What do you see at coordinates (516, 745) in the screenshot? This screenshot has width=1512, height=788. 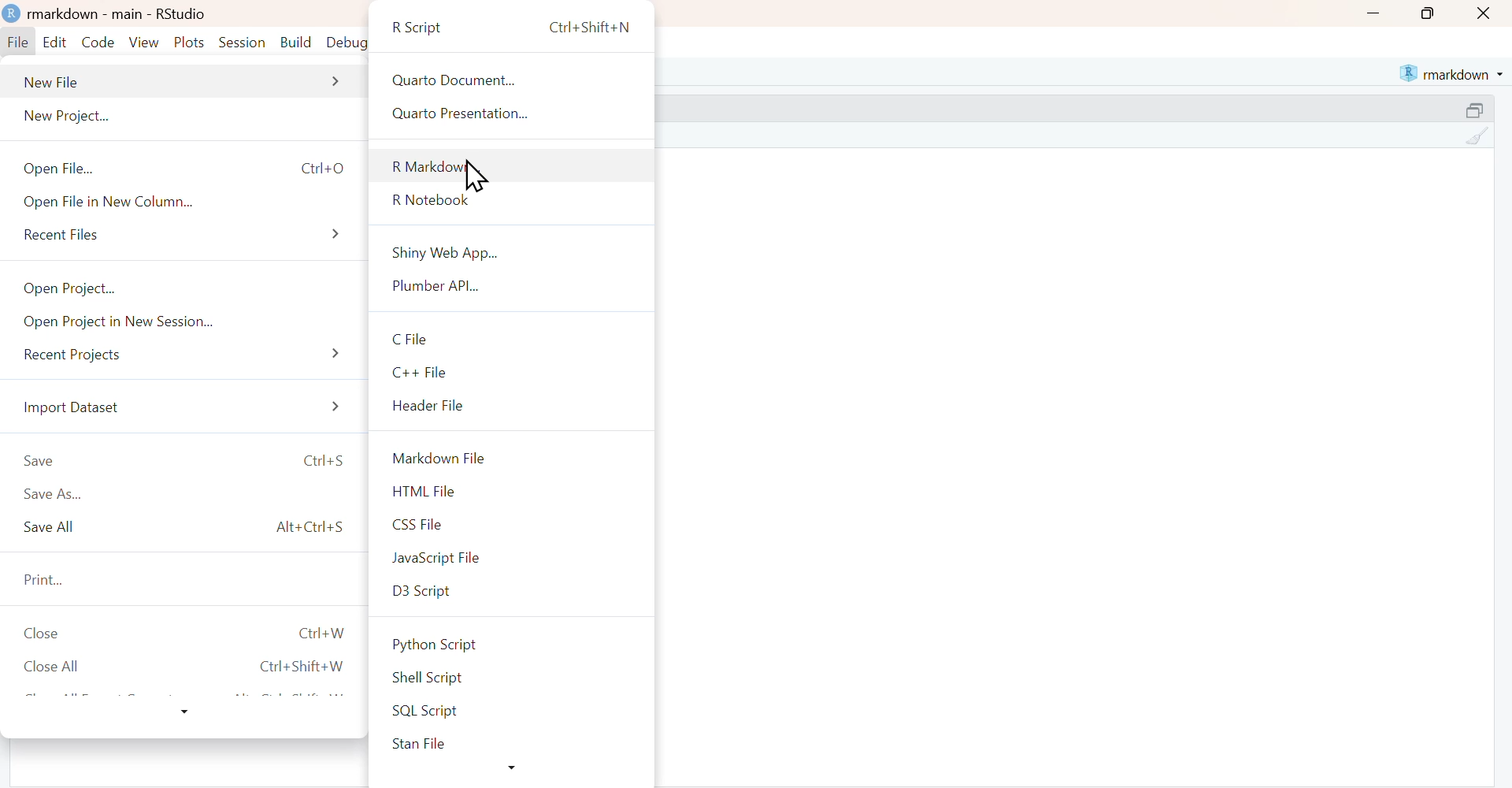 I see `Stan File` at bounding box center [516, 745].